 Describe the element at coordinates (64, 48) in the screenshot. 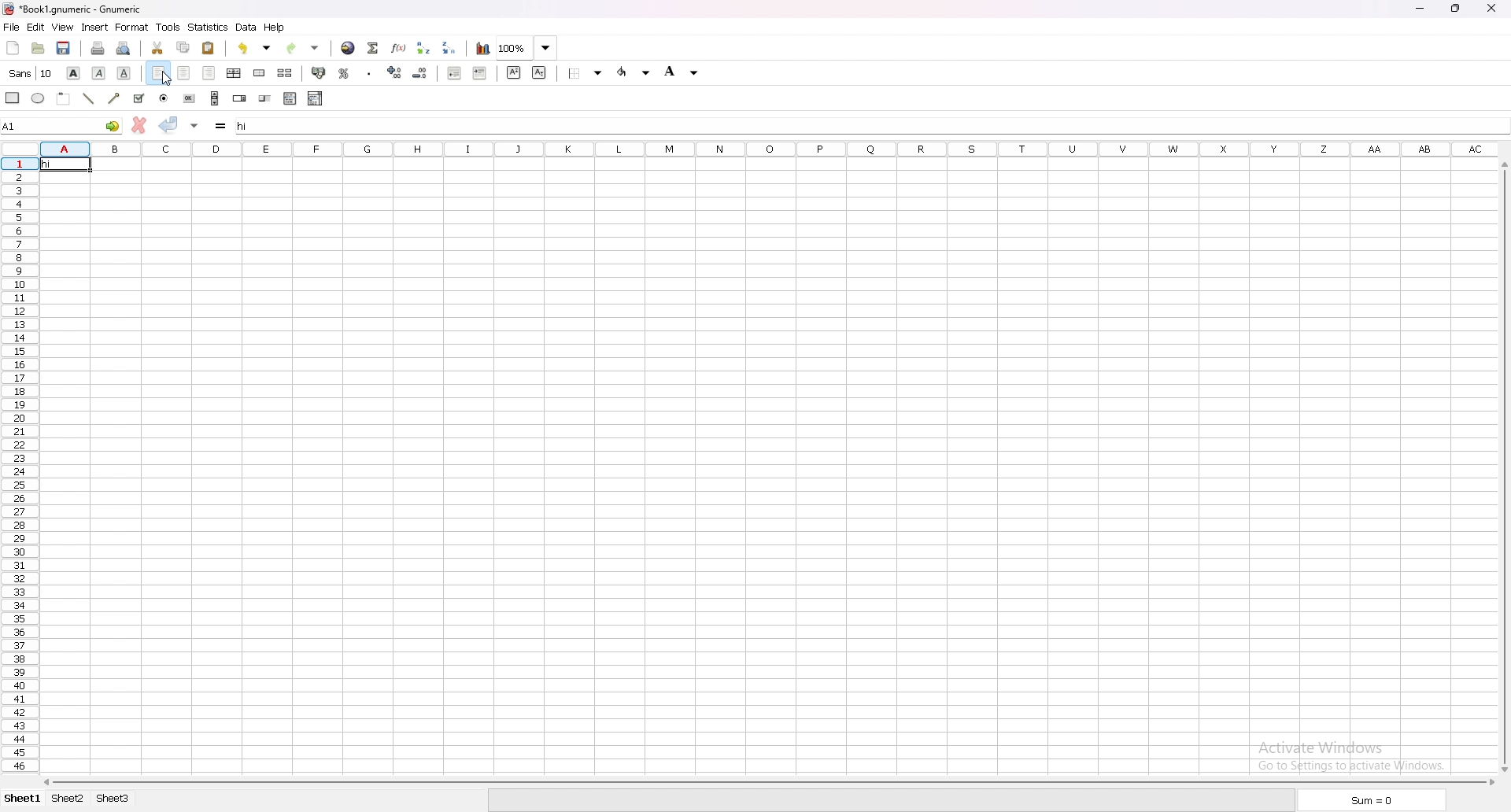

I see `save` at that location.